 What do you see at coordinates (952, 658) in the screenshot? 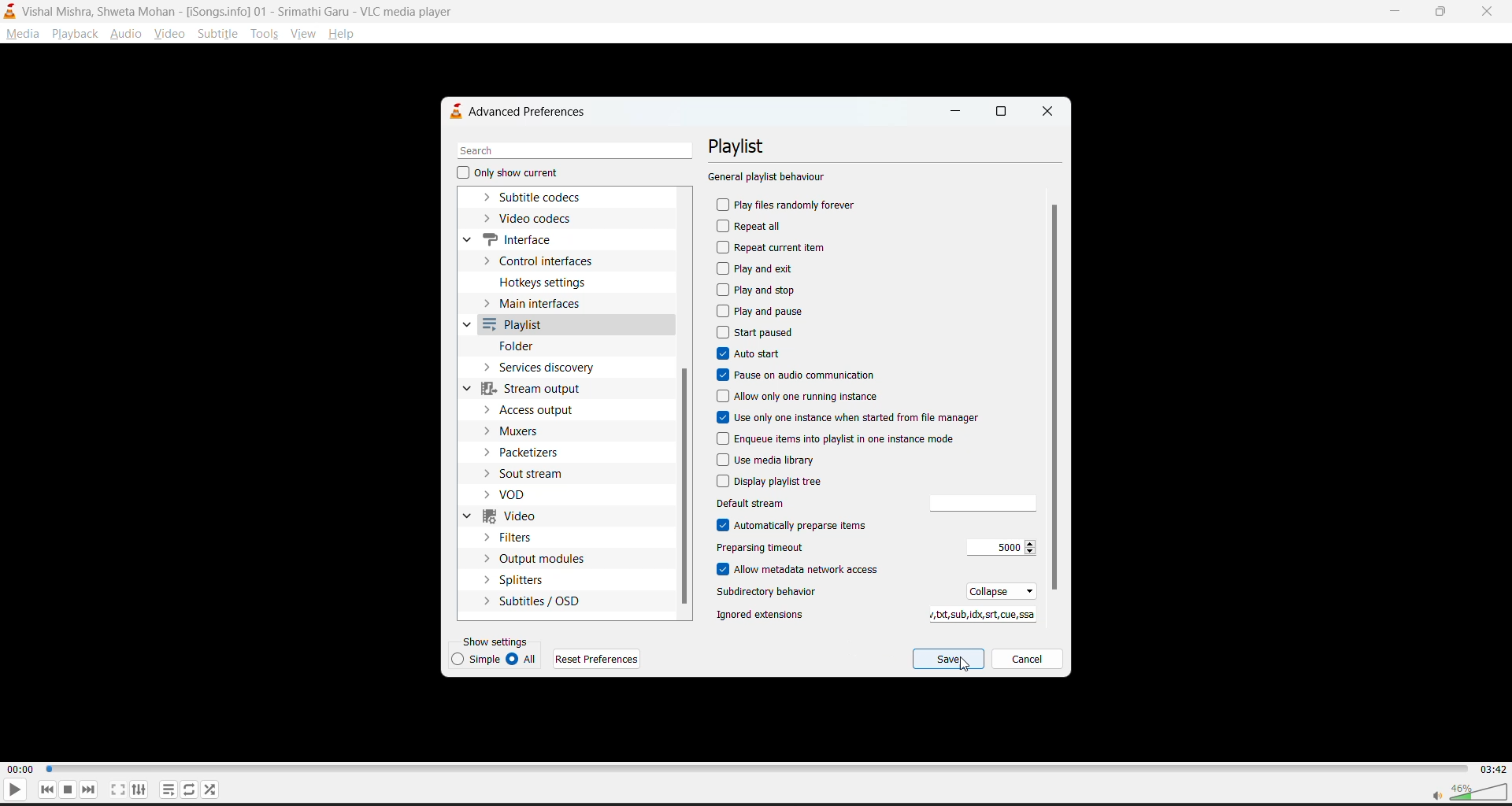
I see `save` at bounding box center [952, 658].